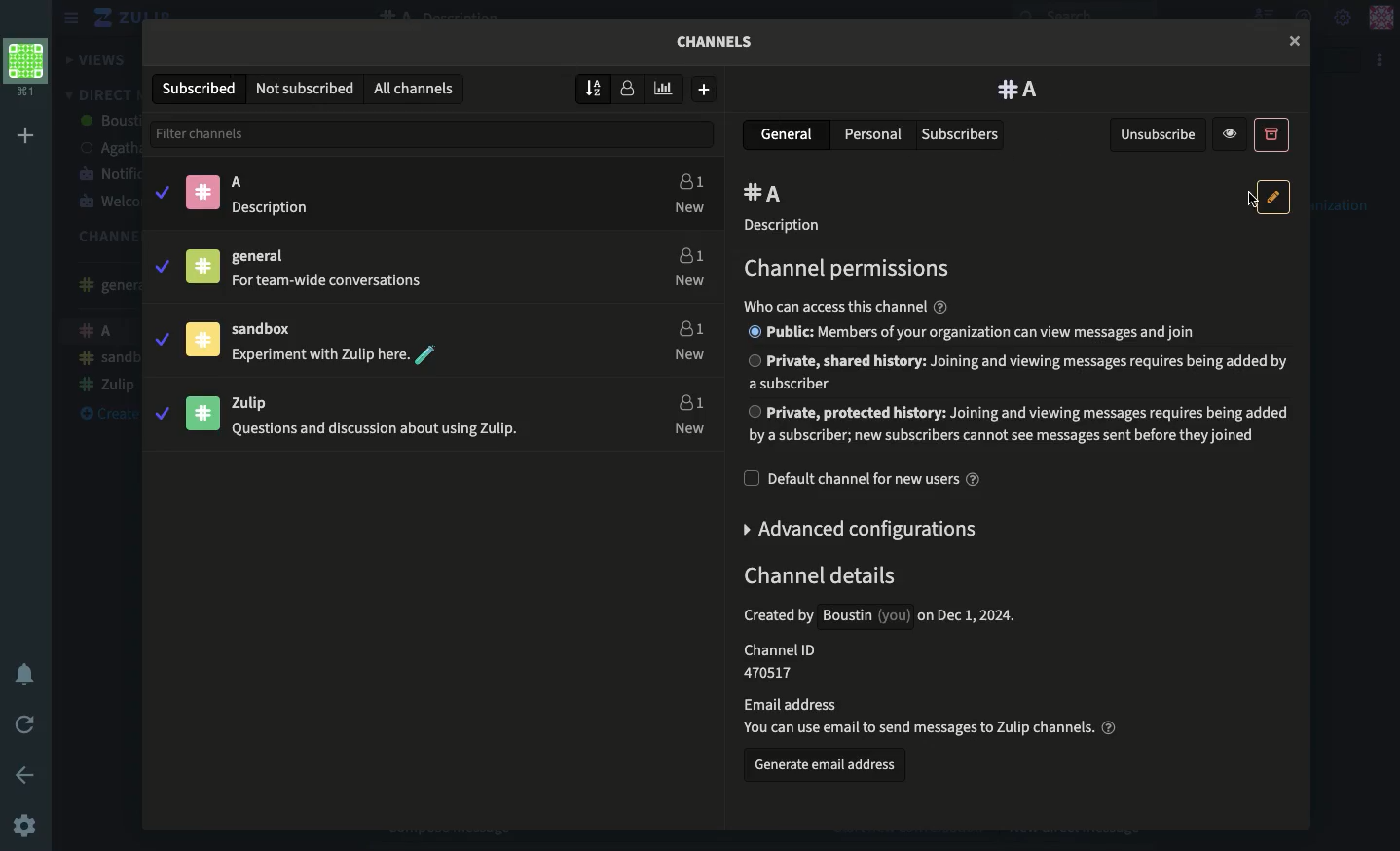 The height and width of the screenshot is (851, 1400). What do you see at coordinates (790, 133) in the screenshot?
I see `General` at bounding box center [790, 133].